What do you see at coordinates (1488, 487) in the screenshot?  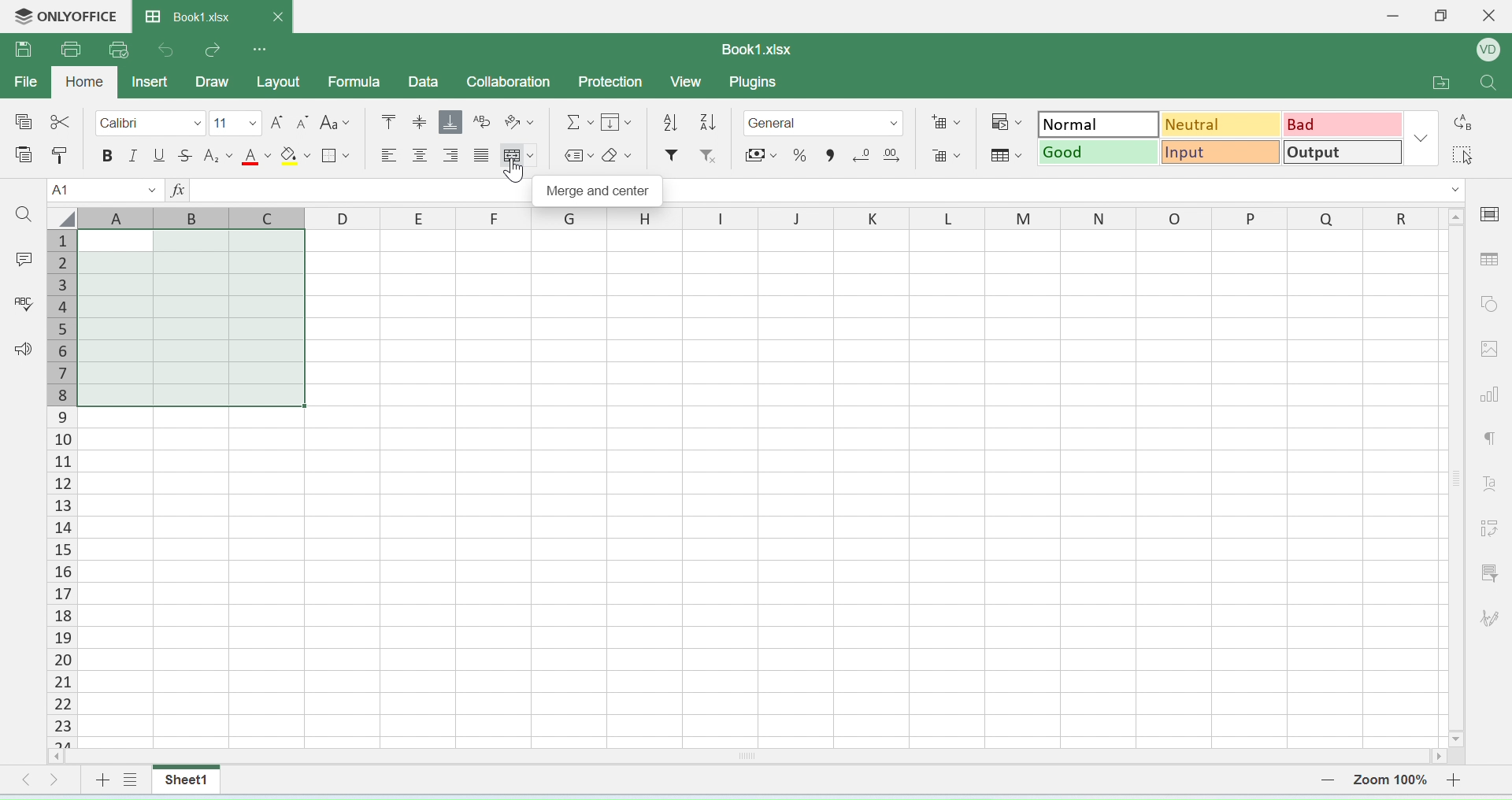 I see `font style` at bounding box center [1488, 487].